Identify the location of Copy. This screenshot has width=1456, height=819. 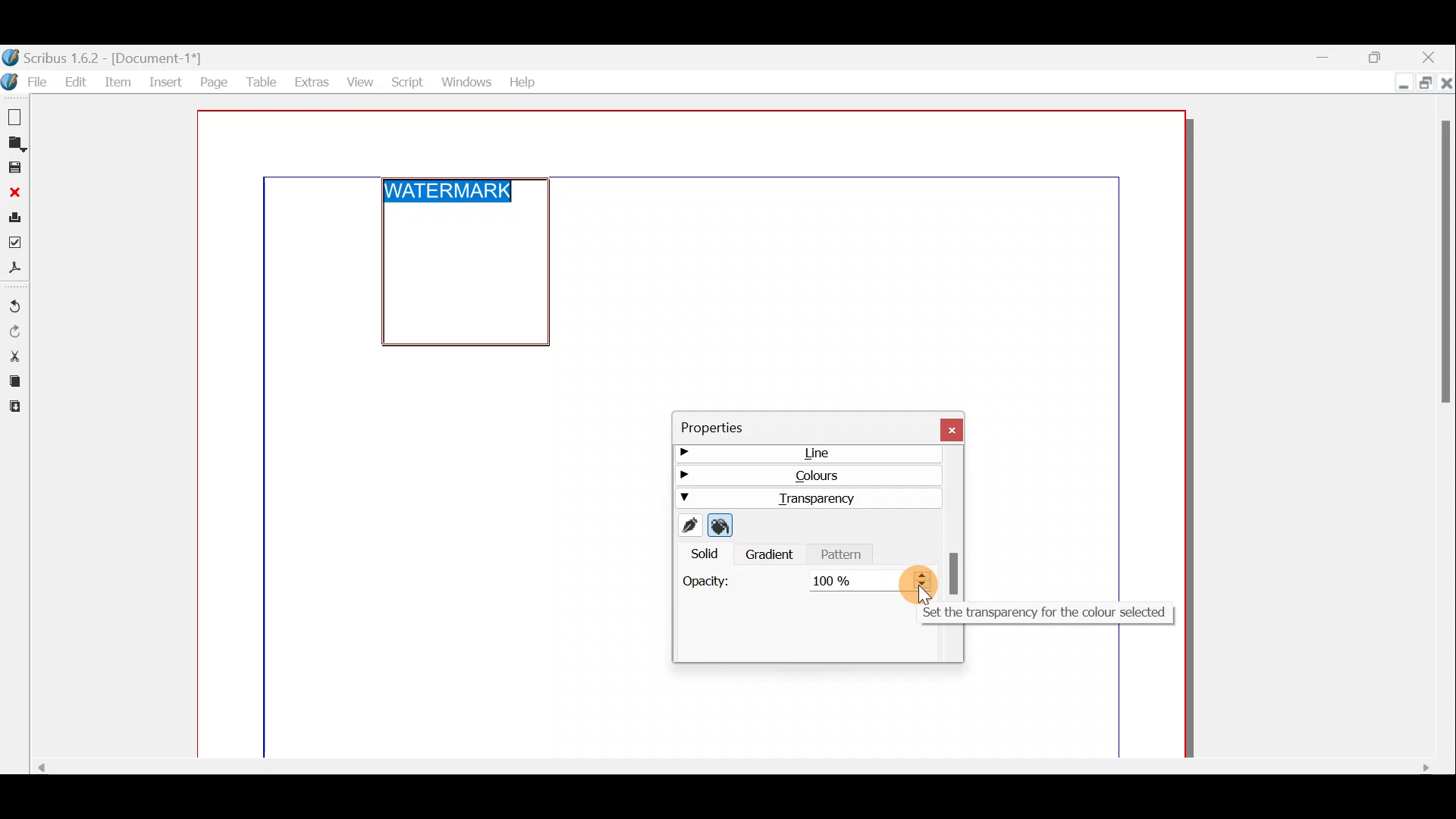
(12, 383).